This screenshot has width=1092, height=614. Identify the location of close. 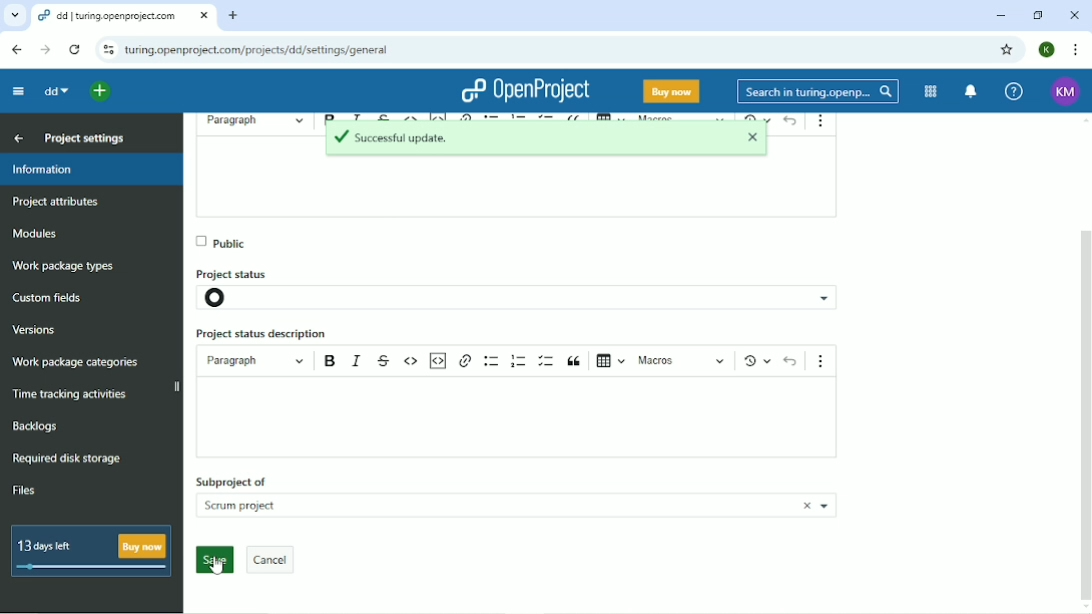
(808, 512).